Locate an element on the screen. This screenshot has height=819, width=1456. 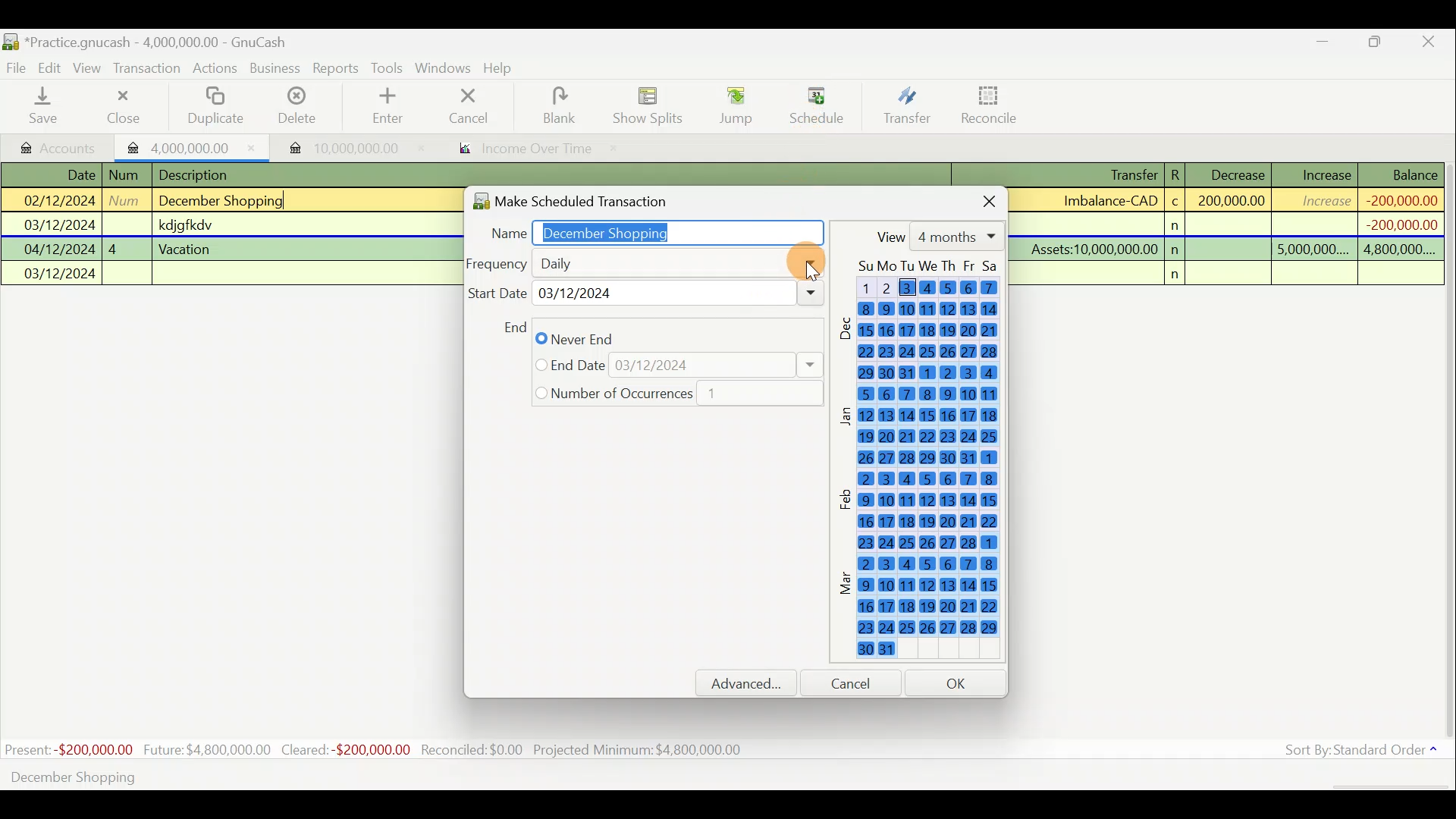
Frequency is located at coordinates (643, 262).